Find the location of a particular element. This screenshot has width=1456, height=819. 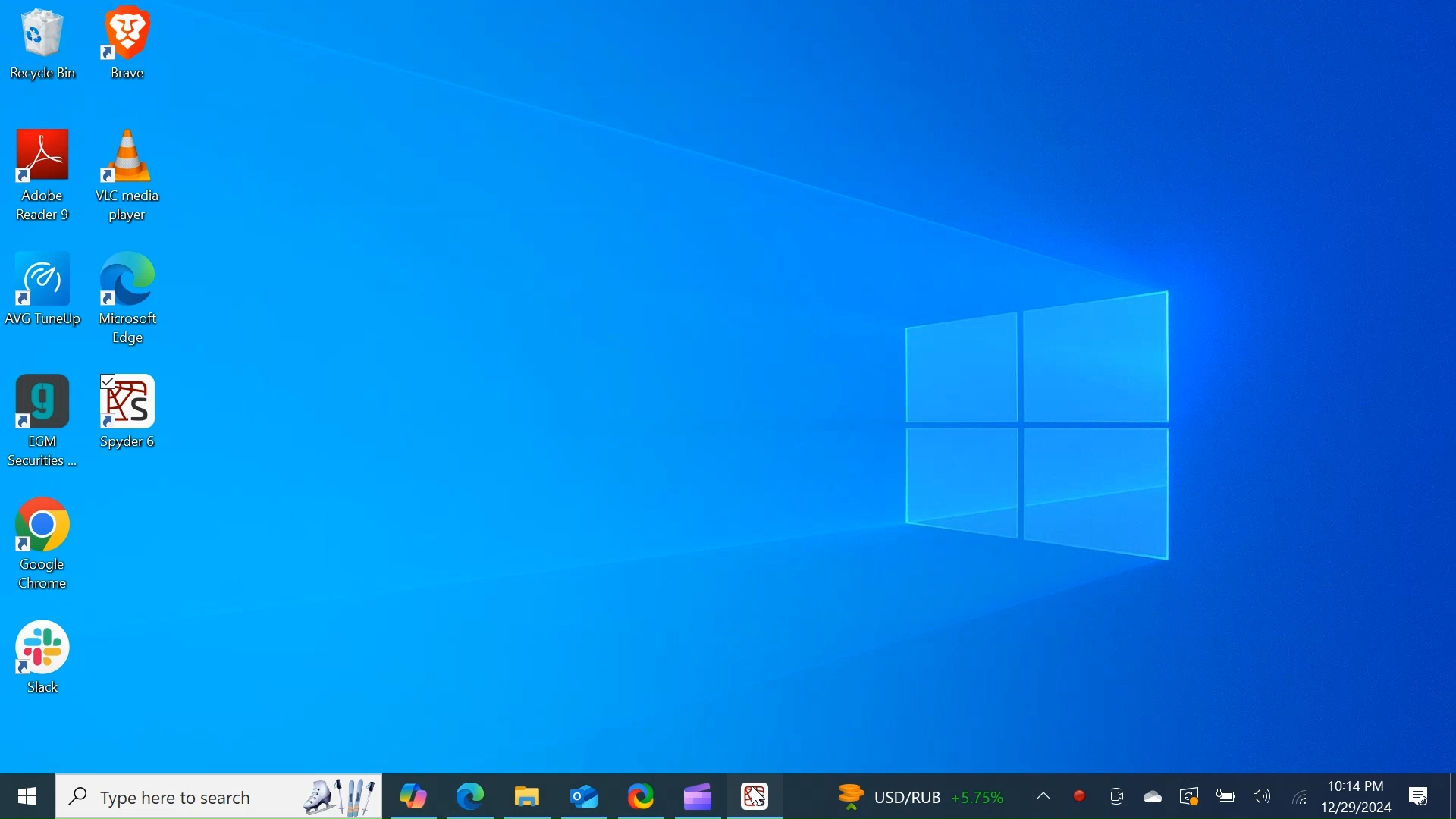

Outlook Desktop Icon is located at coordinates (585, 795).